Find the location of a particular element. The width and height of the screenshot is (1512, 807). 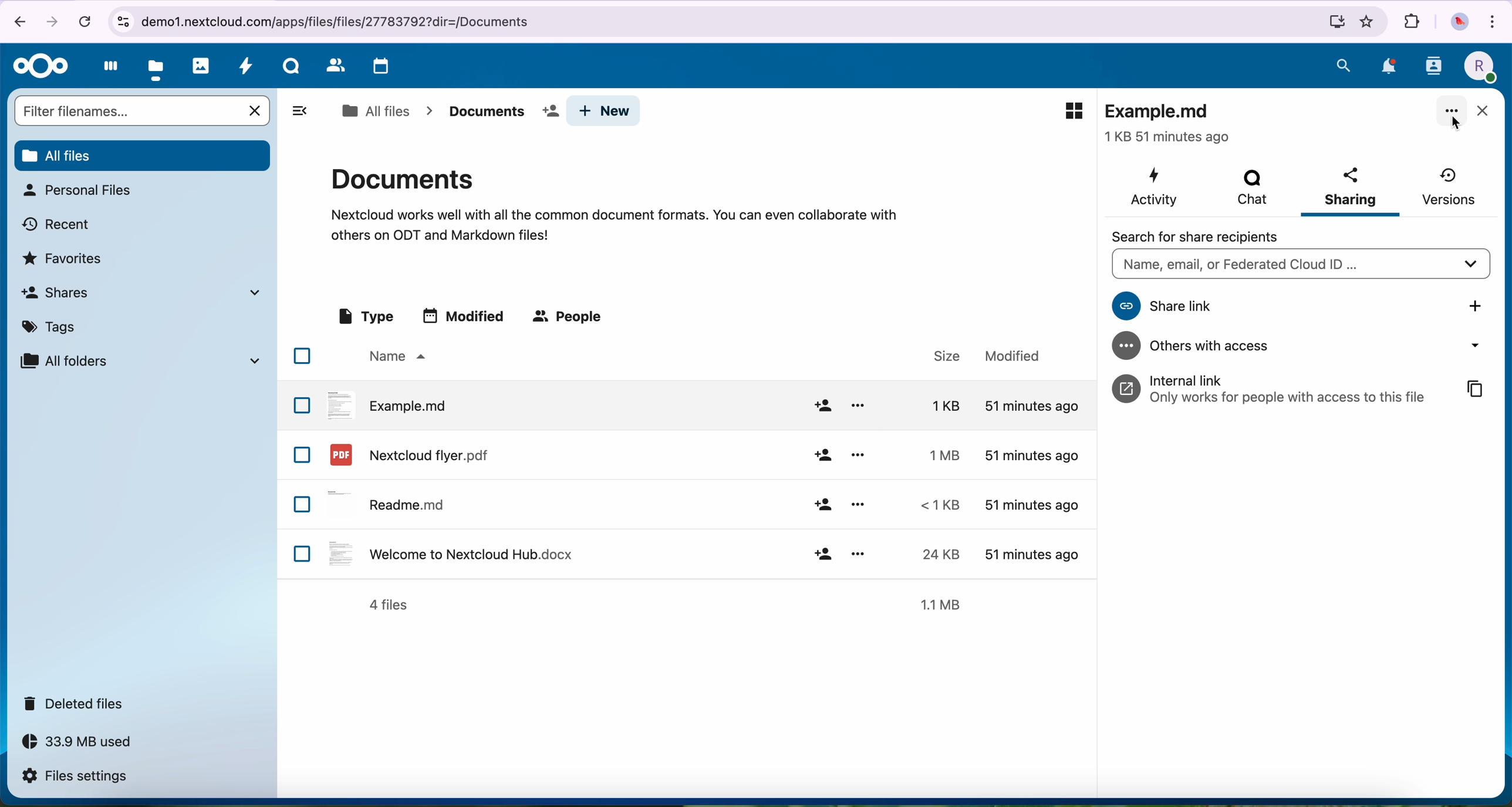

modified is located at coordinates (1032, 507).